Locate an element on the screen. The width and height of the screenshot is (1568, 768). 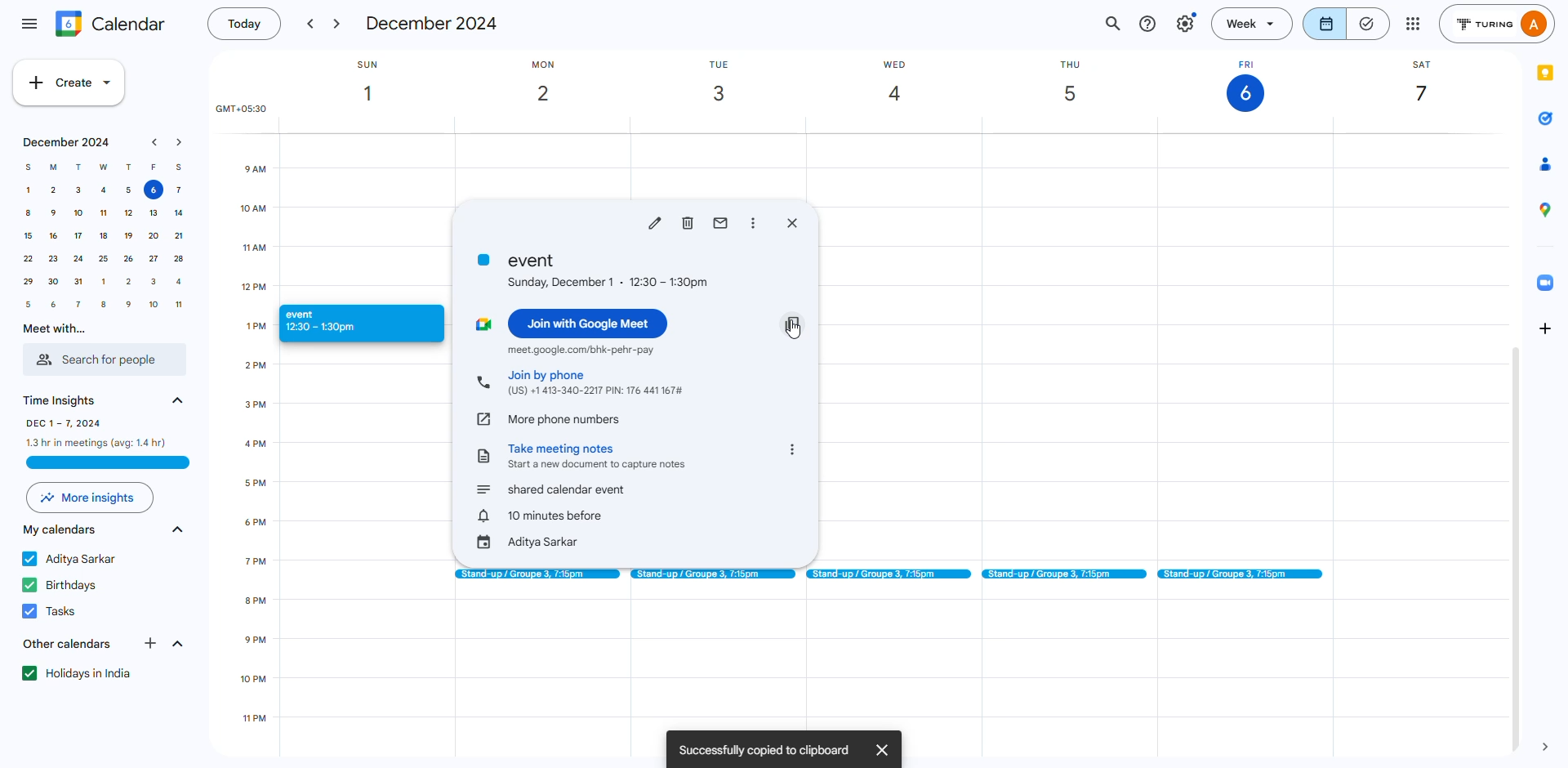
meetings is located at coordinates (1243, 575).